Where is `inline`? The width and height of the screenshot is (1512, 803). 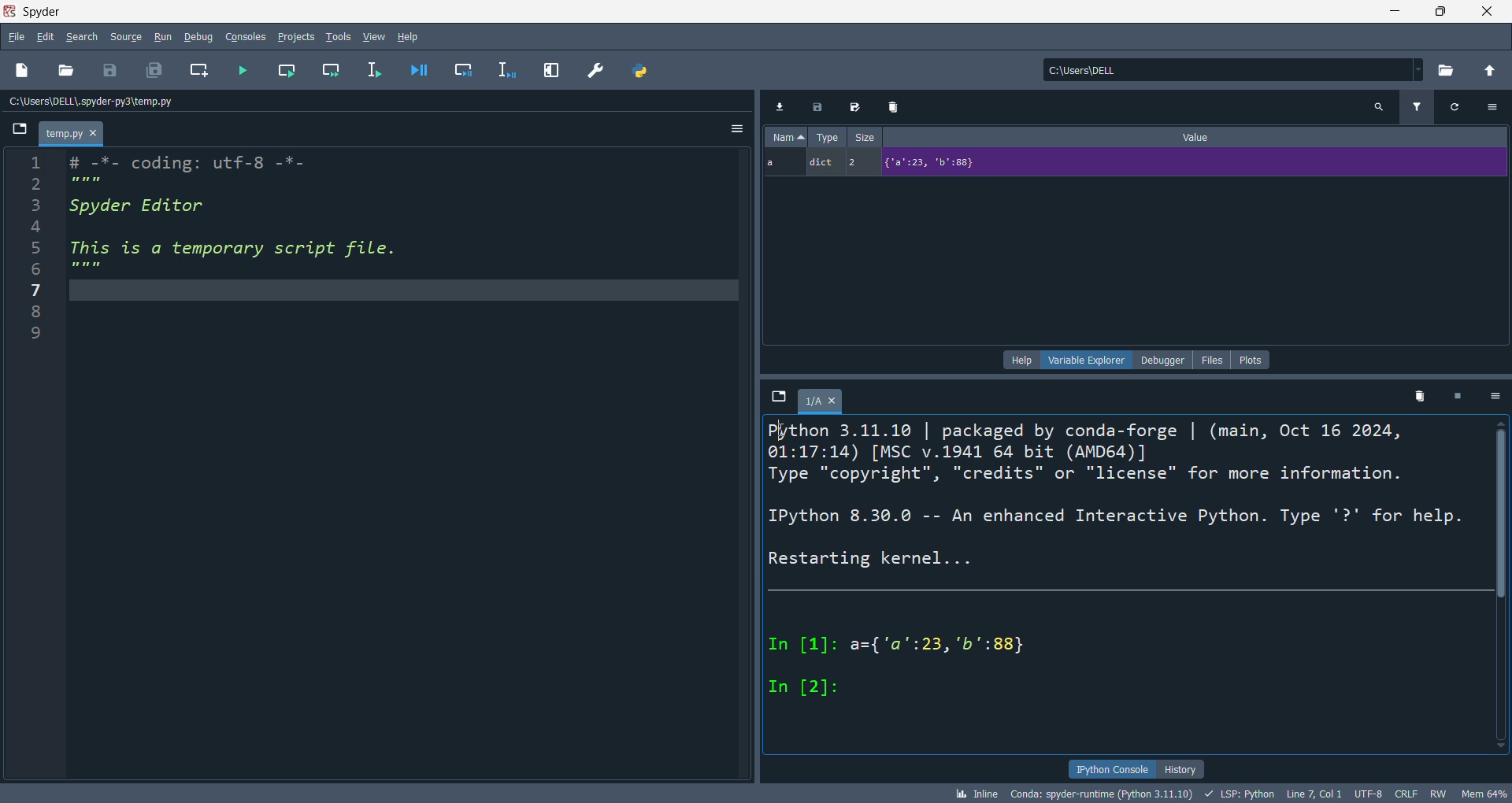 inline is located at coordinates (974, 794).